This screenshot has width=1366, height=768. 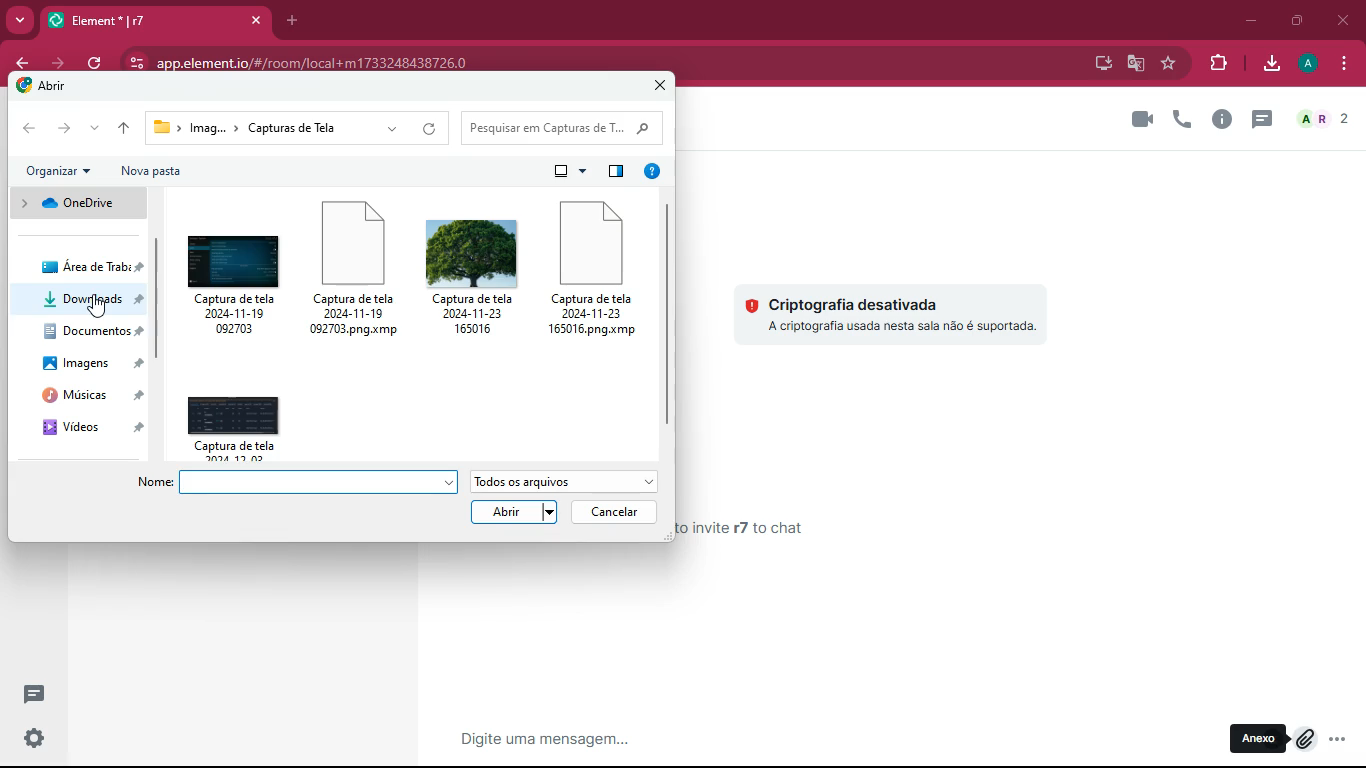 I want to click on downloads, so click(x=92, y=300).